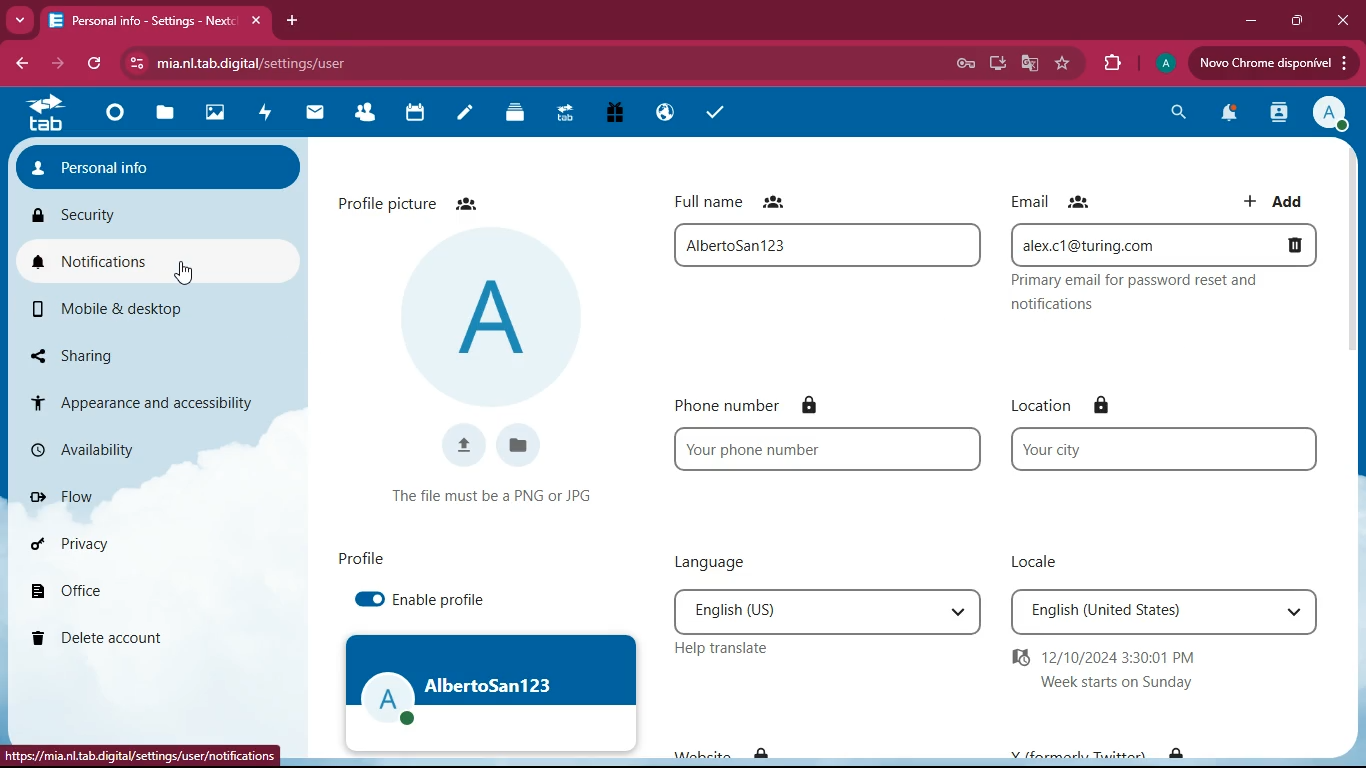 This screenshot has width=1366, height=768. Describe the element at coordinates (1273, 63) in the screenshot. I see `update` at that location.